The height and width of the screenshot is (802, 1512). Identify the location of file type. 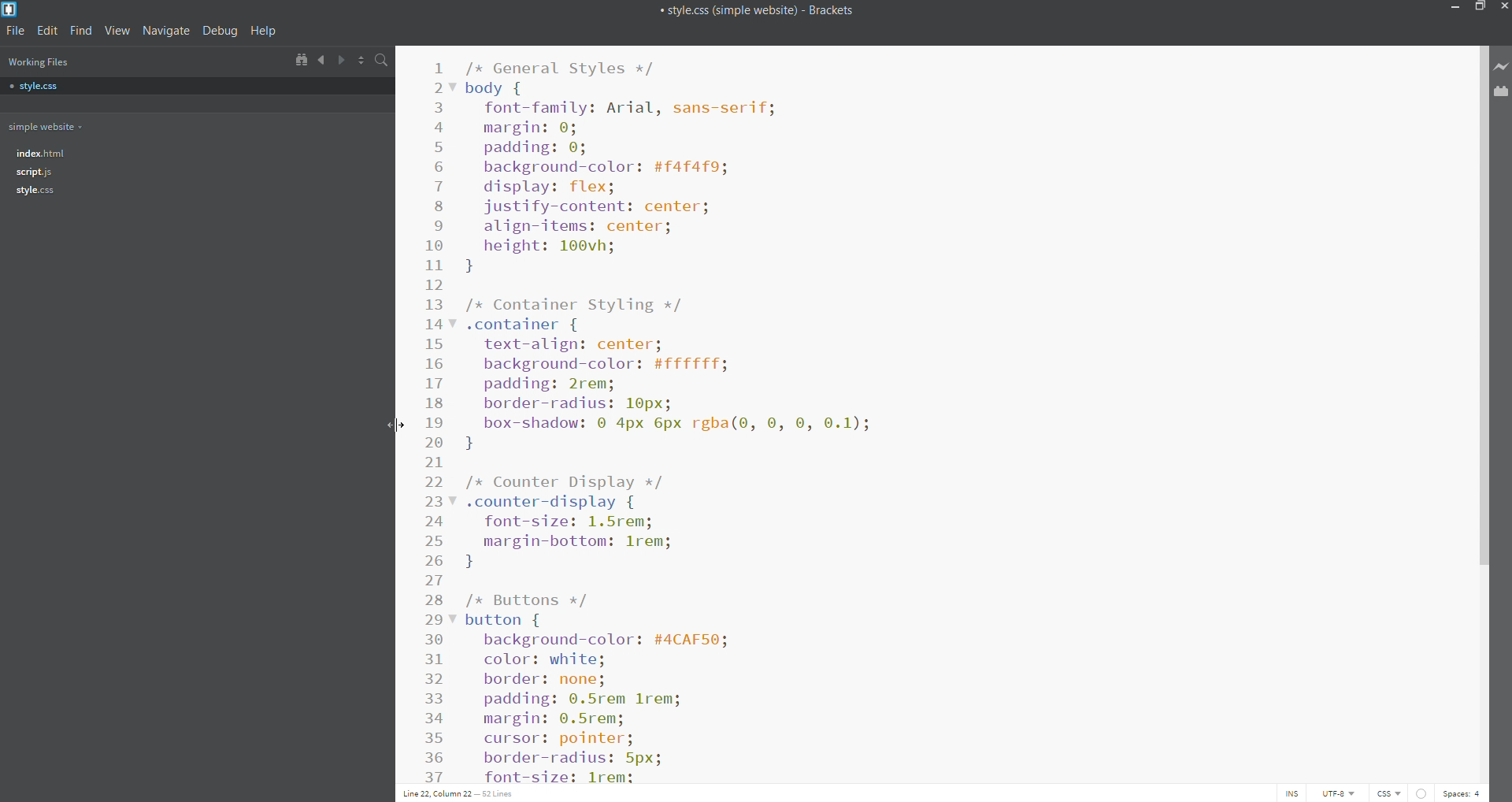
(1391, 794).